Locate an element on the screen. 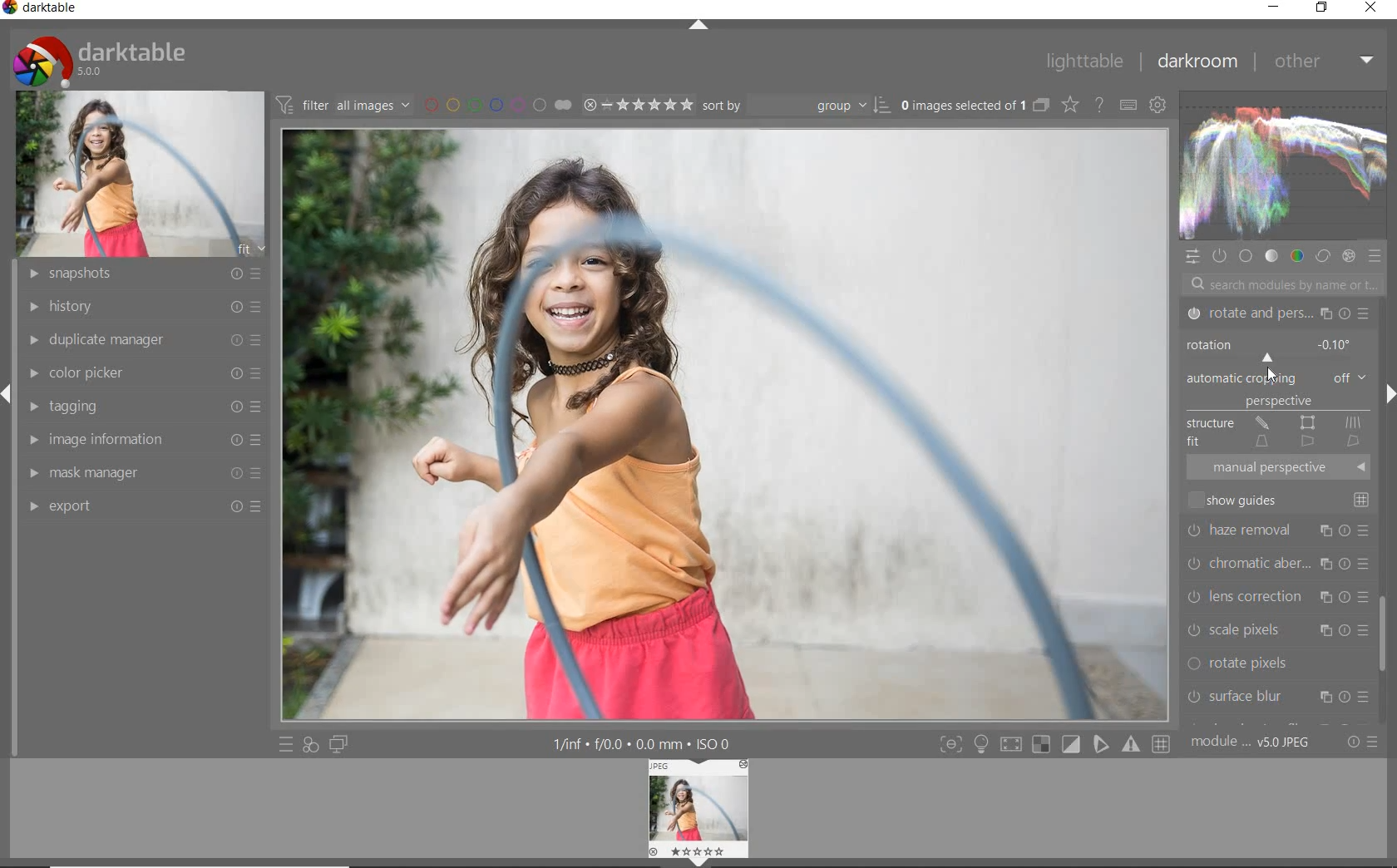 The image size is (1397, 868). PERSPECTIVE is located at coordinates (1281, 401).